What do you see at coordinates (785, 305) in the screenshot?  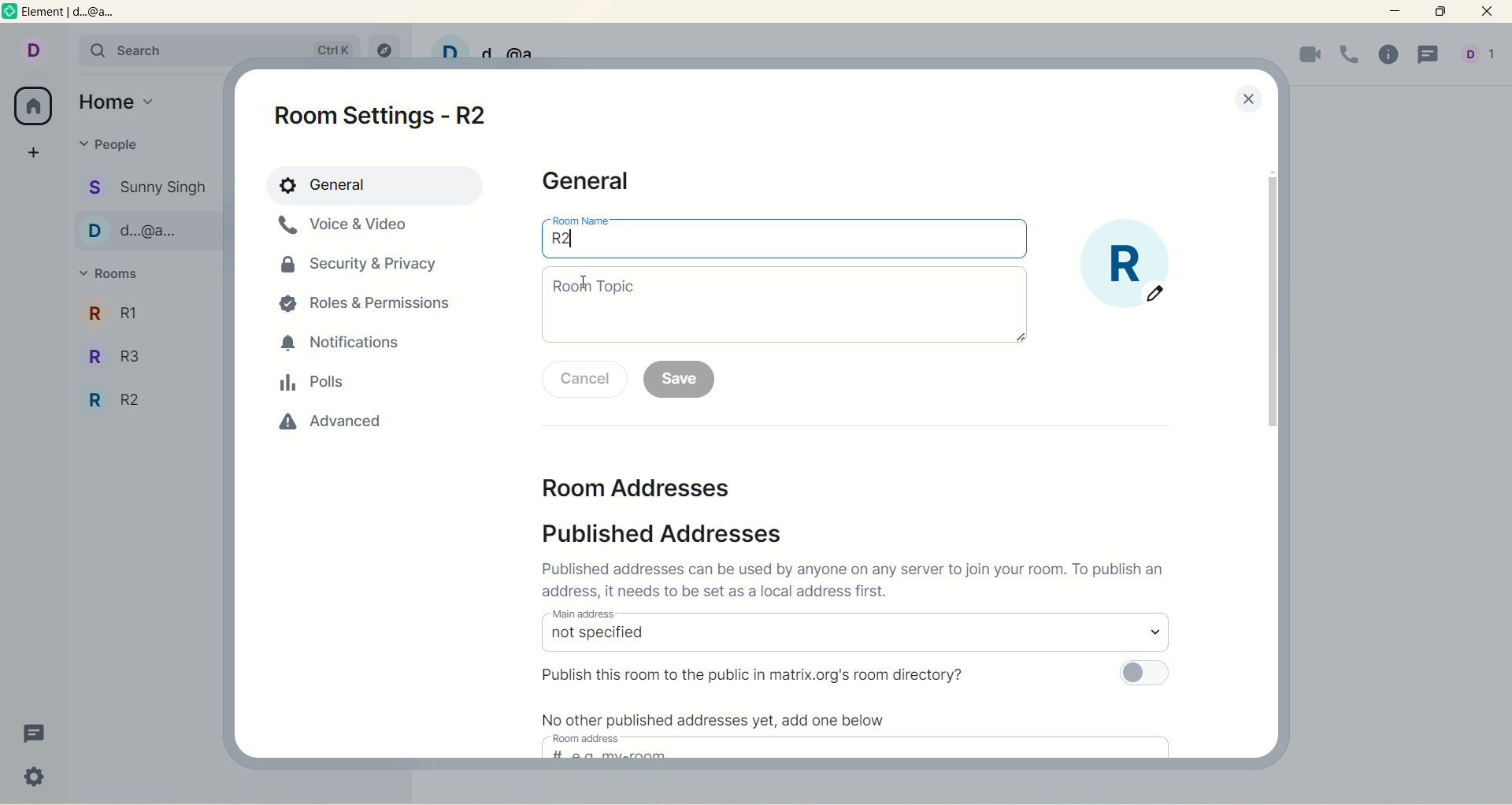 I see `room topic` at bounding box center [785, 305].